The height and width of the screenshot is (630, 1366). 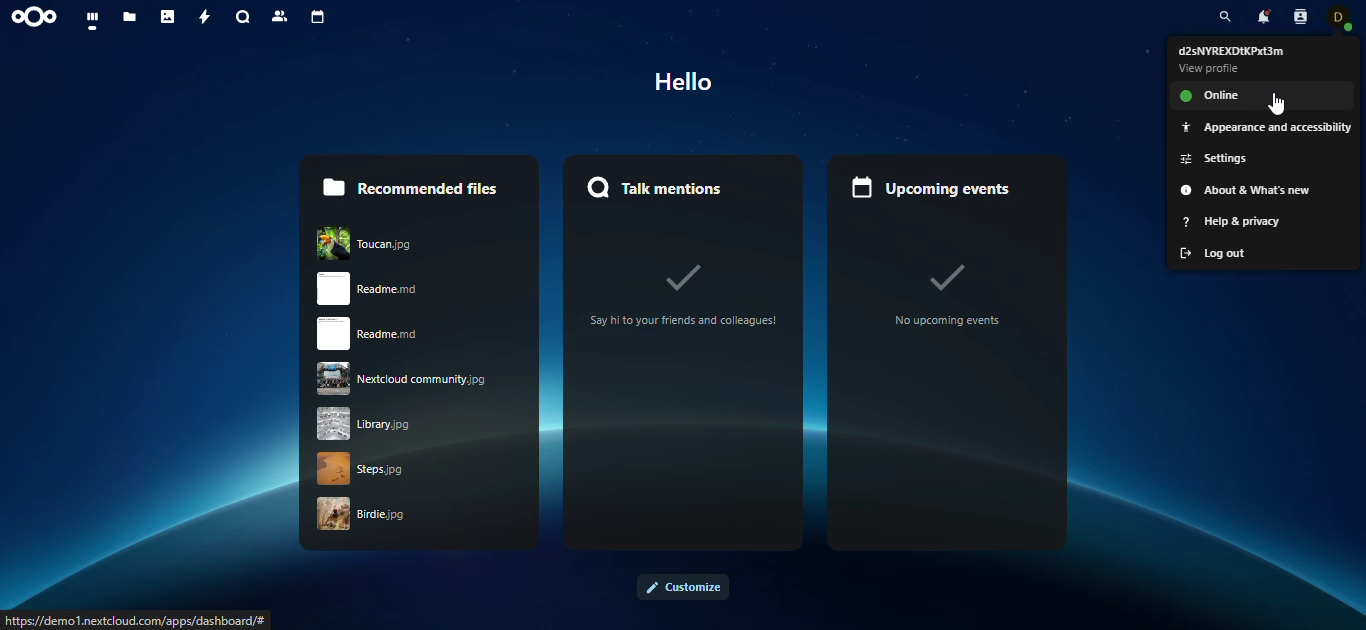 What do you see at coordinates (937, 184) in the screenshot?
I see `upcoming events` at bounding box center [937, 184].